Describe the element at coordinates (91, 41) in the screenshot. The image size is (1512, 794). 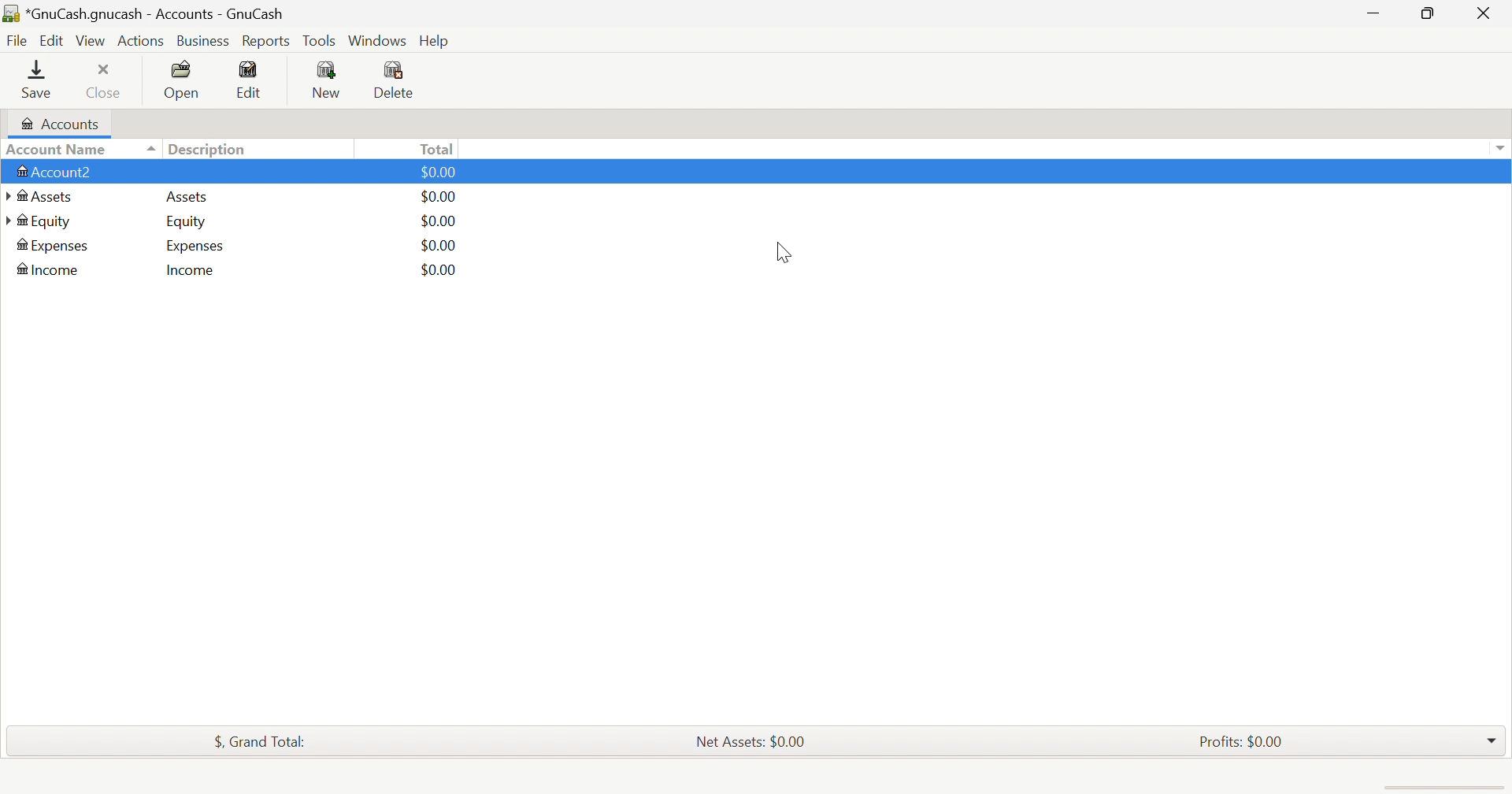
I see `View` at that location.